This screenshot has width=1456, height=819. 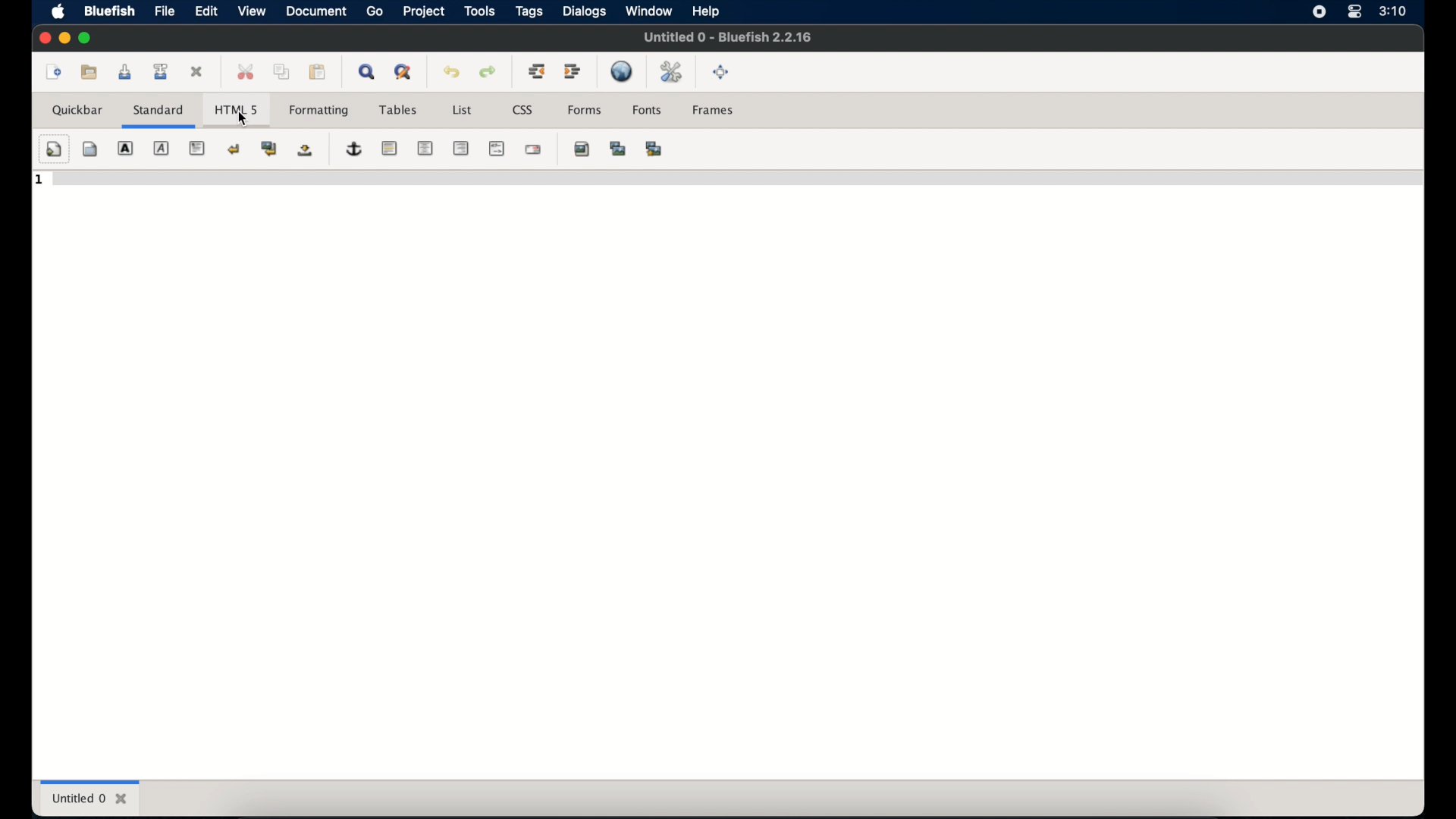 What do you see at coordinates (206, 11) in the screenshot?
I see `edit` at bounding box center [206, 11].